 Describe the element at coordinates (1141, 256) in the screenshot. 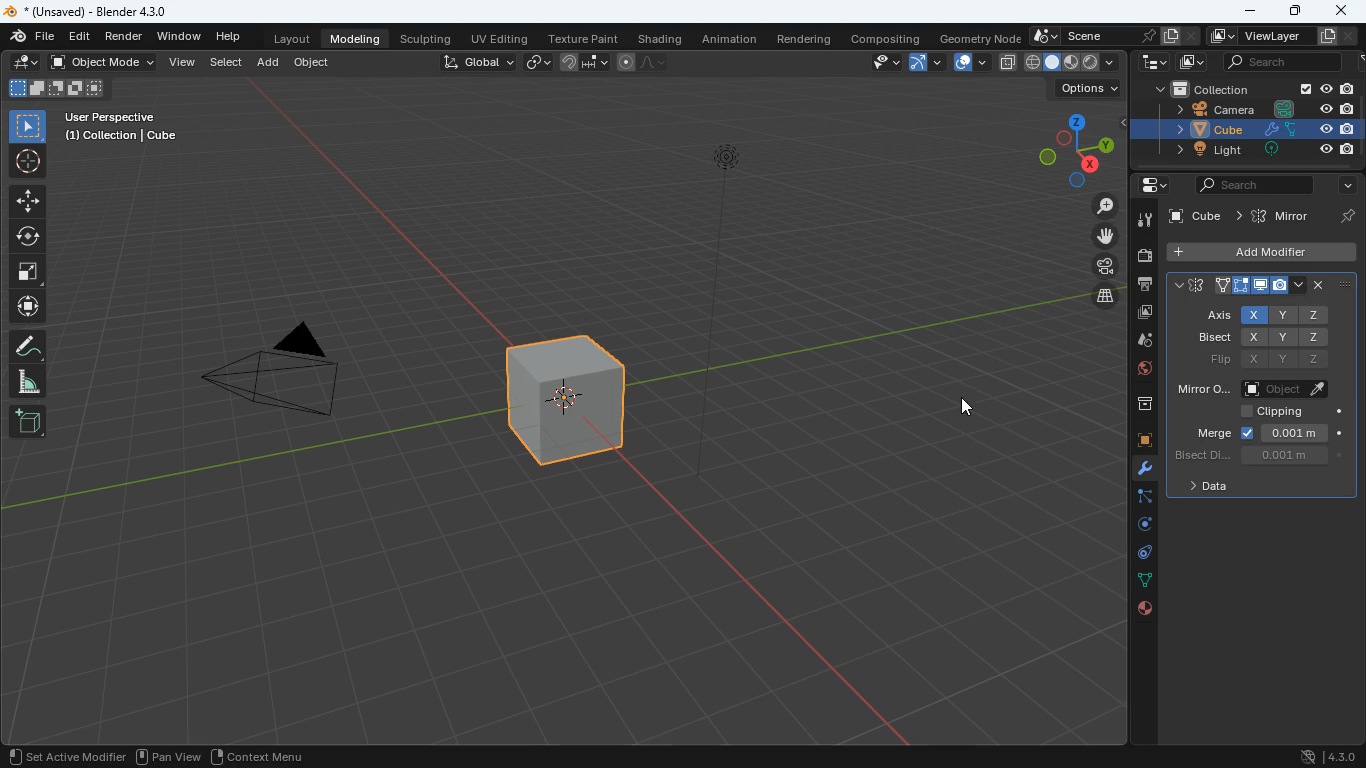

I see `camera` at that location.